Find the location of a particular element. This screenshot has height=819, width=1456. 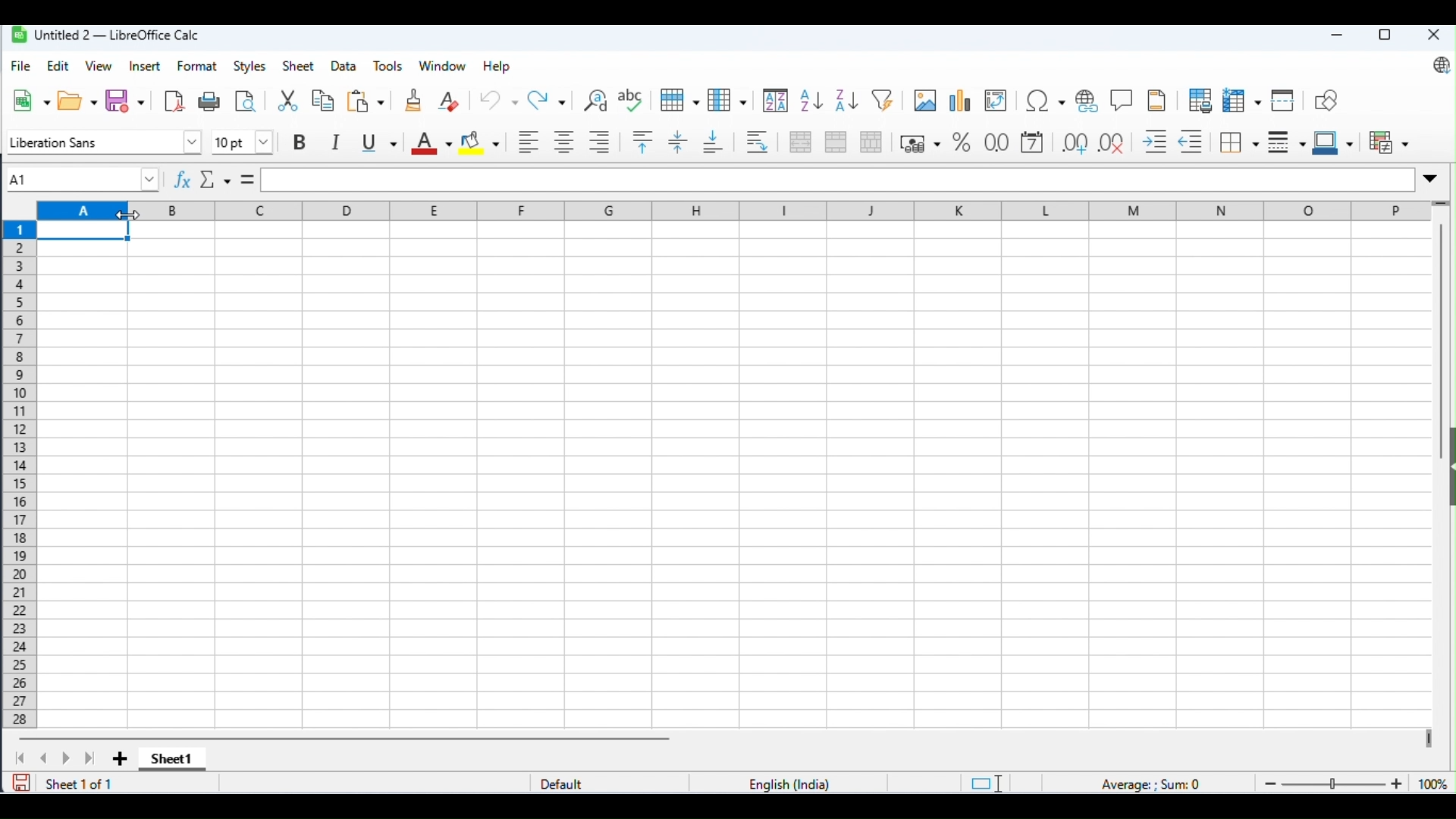

clear direct formatting is located at coordinates (450, 99).